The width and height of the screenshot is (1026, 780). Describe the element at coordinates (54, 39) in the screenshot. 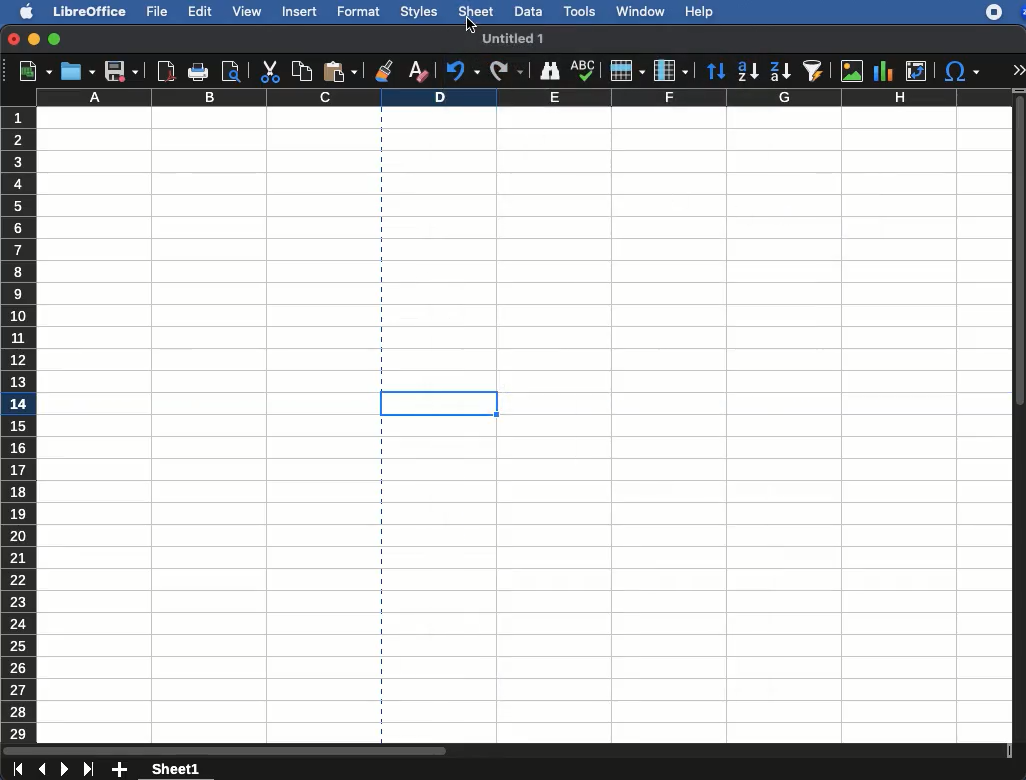

I see `maximize` at that location.